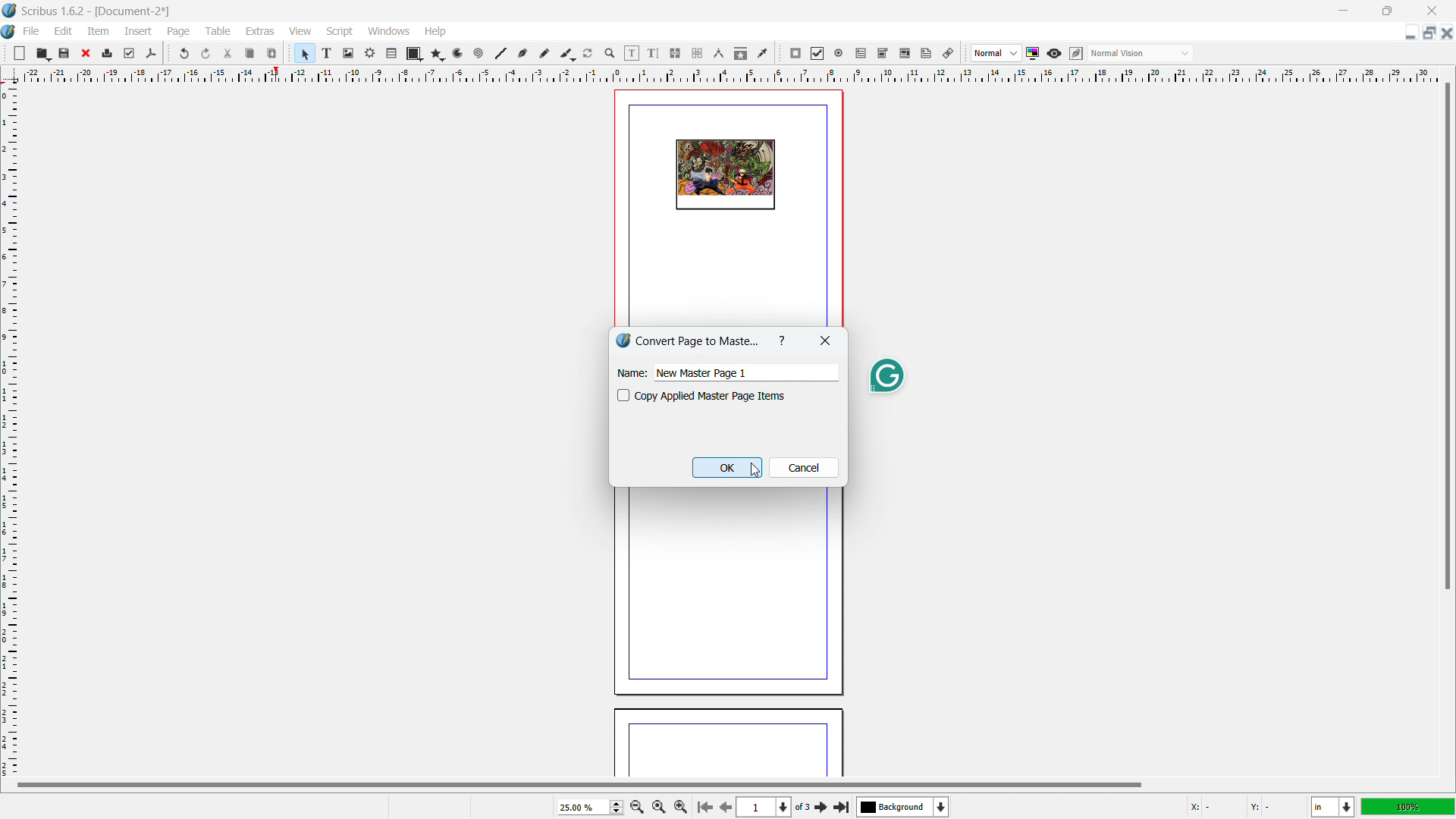 The height and width of the screenshot is (819, 1456). I want to click on select the current layer, so click(903, 807).